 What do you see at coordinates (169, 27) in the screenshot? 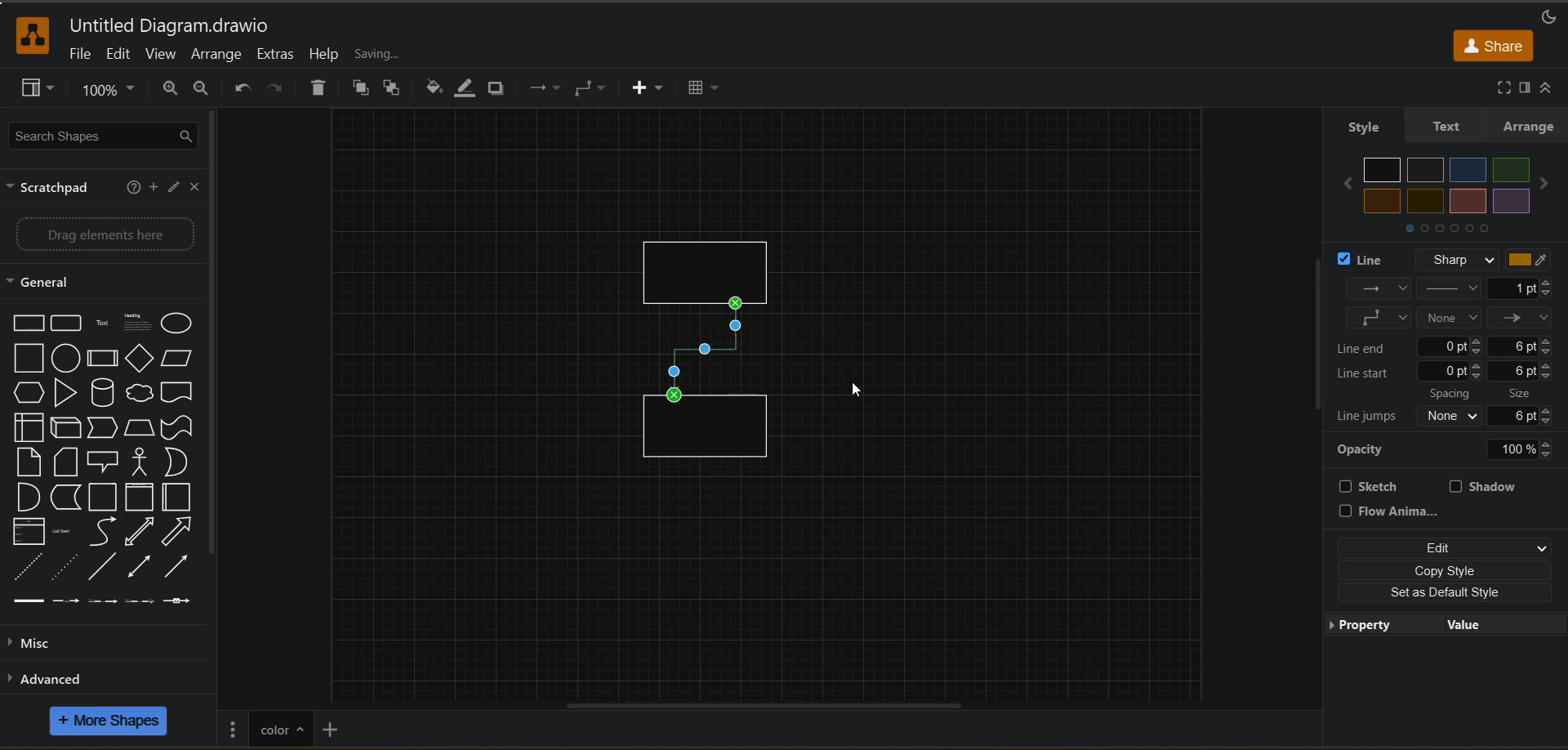
I see `file name and app title` at bounding box center [169, 27].